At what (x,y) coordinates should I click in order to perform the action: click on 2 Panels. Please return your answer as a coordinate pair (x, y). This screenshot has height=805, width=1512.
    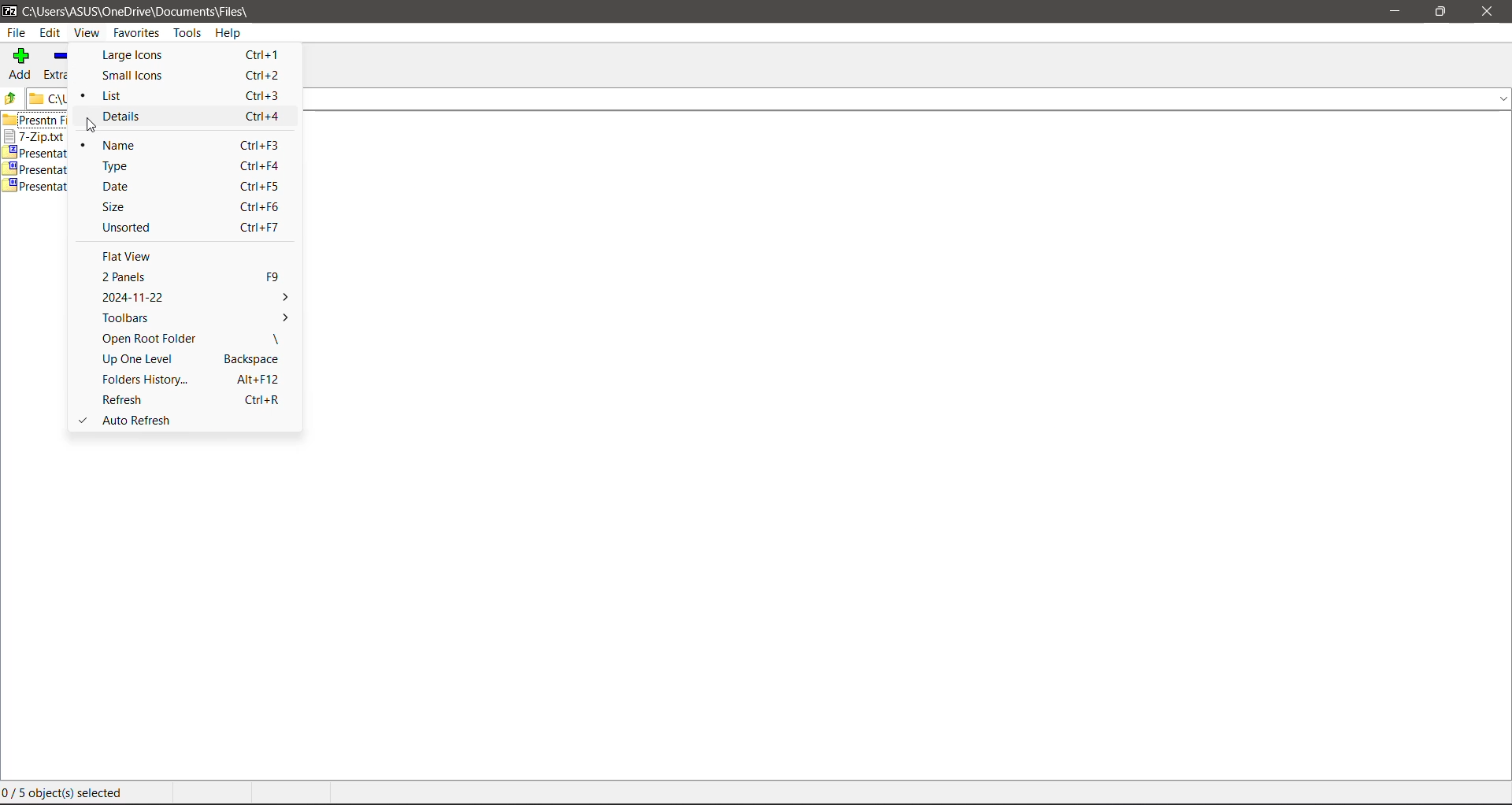
    Looking at the image, I should click on (195, 278).